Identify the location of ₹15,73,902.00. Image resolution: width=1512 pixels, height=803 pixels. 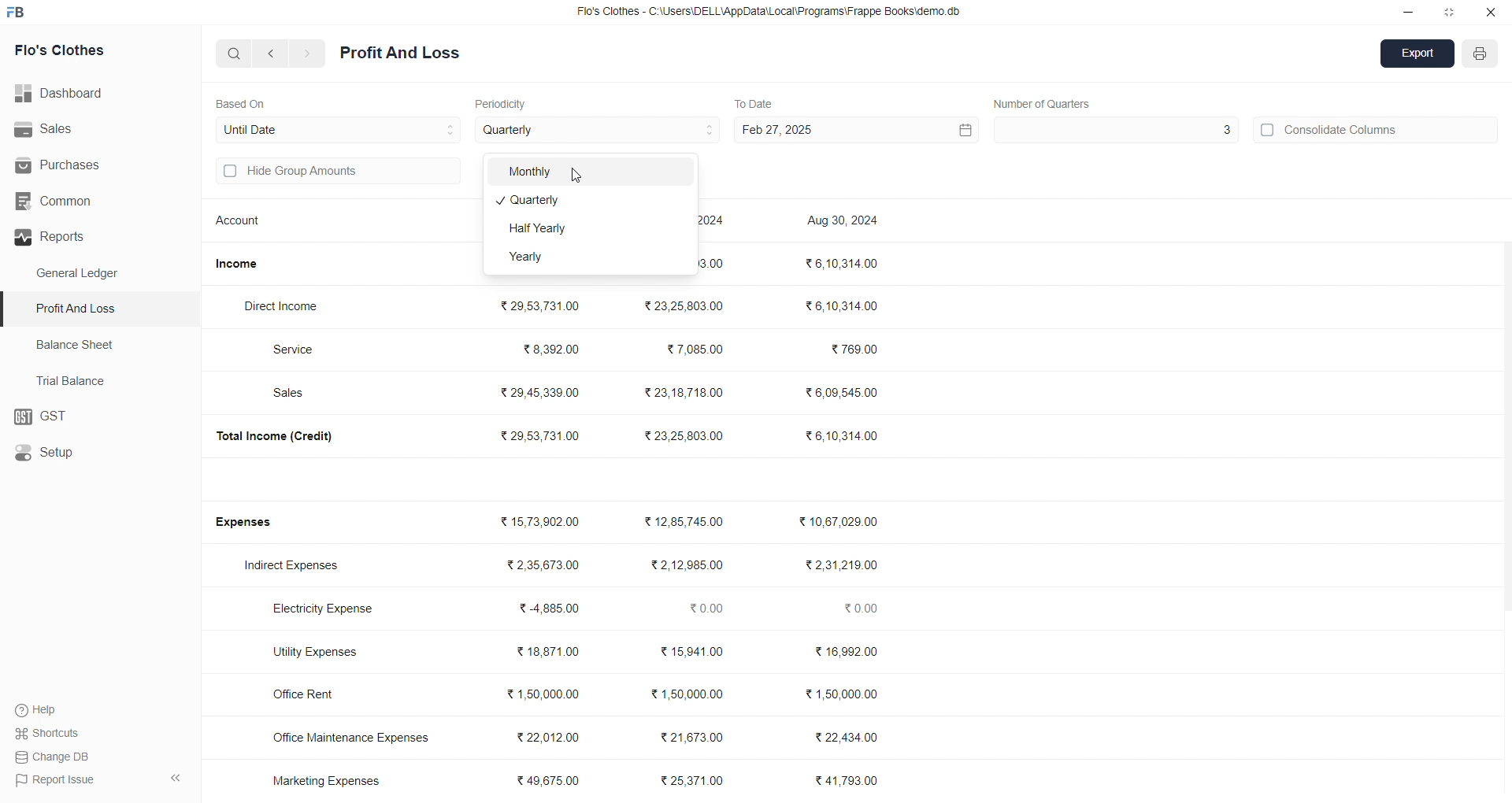
(540, 522).